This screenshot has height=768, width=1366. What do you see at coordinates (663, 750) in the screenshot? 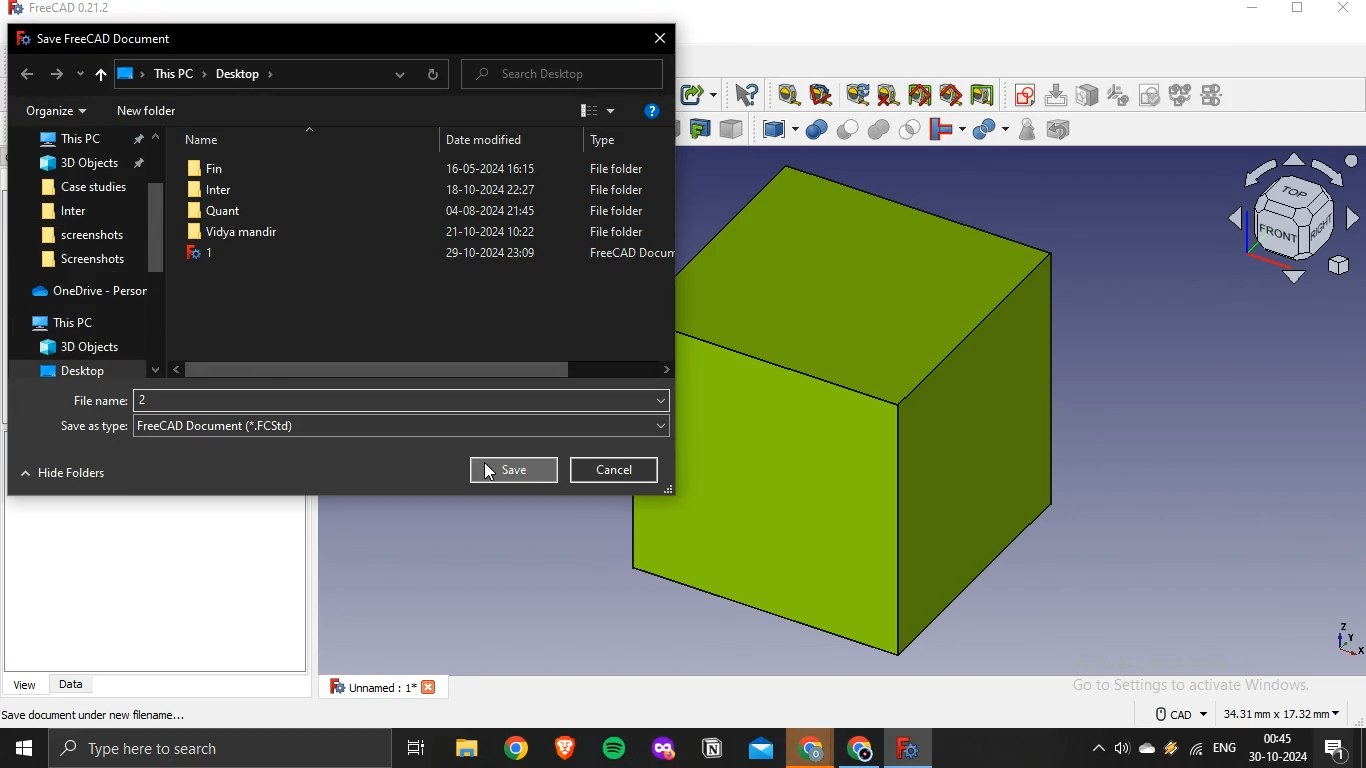
I see `mozilla firefox` at bounding box center [663, 750].